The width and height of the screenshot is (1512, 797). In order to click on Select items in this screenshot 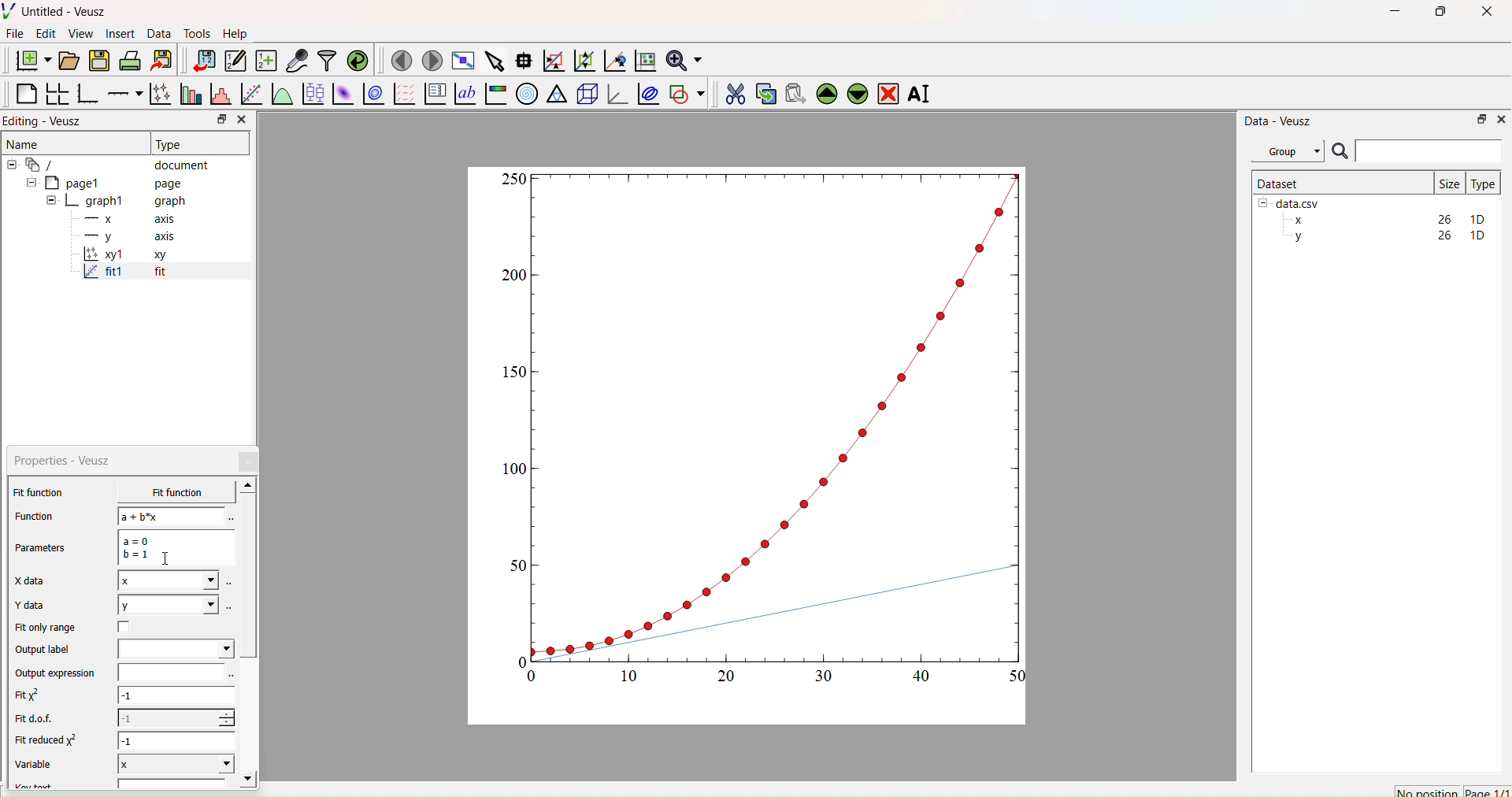, I will do `click(493, 61)`.